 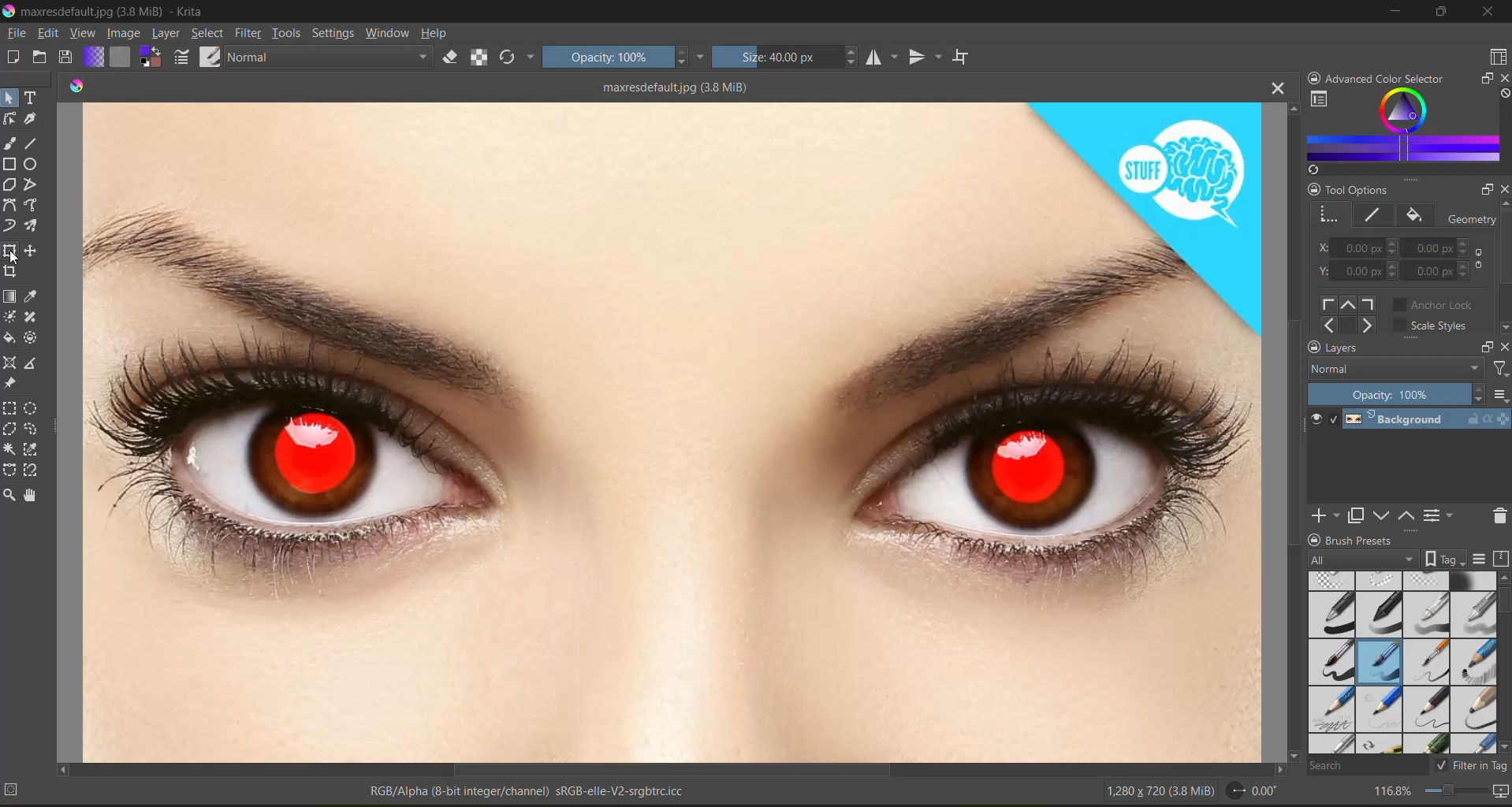 I want to click on storage resources, so click(x=1501, y=559).